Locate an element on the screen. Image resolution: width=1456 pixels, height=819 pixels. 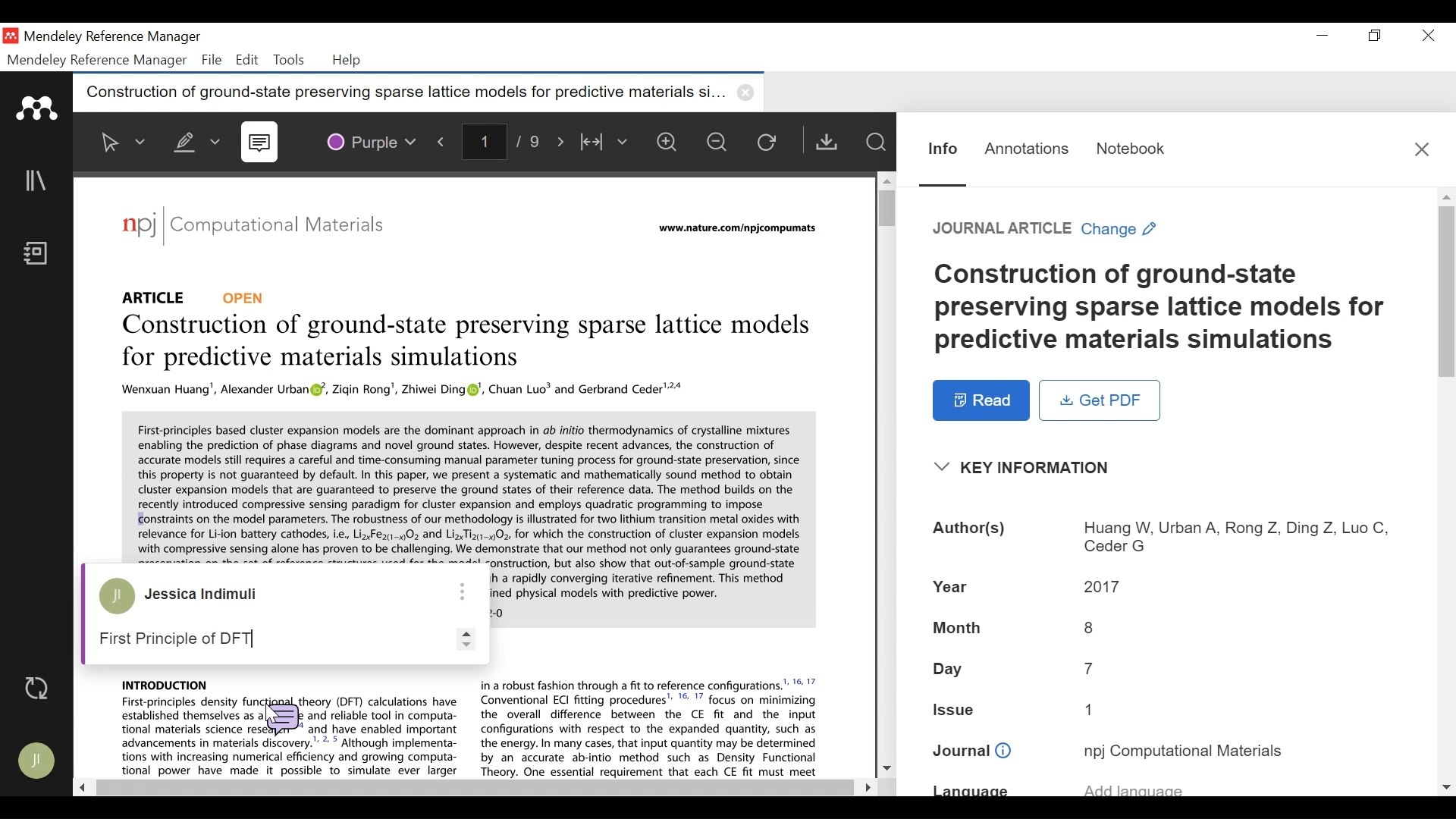
Find in Files is located at coordinates (877, 143).